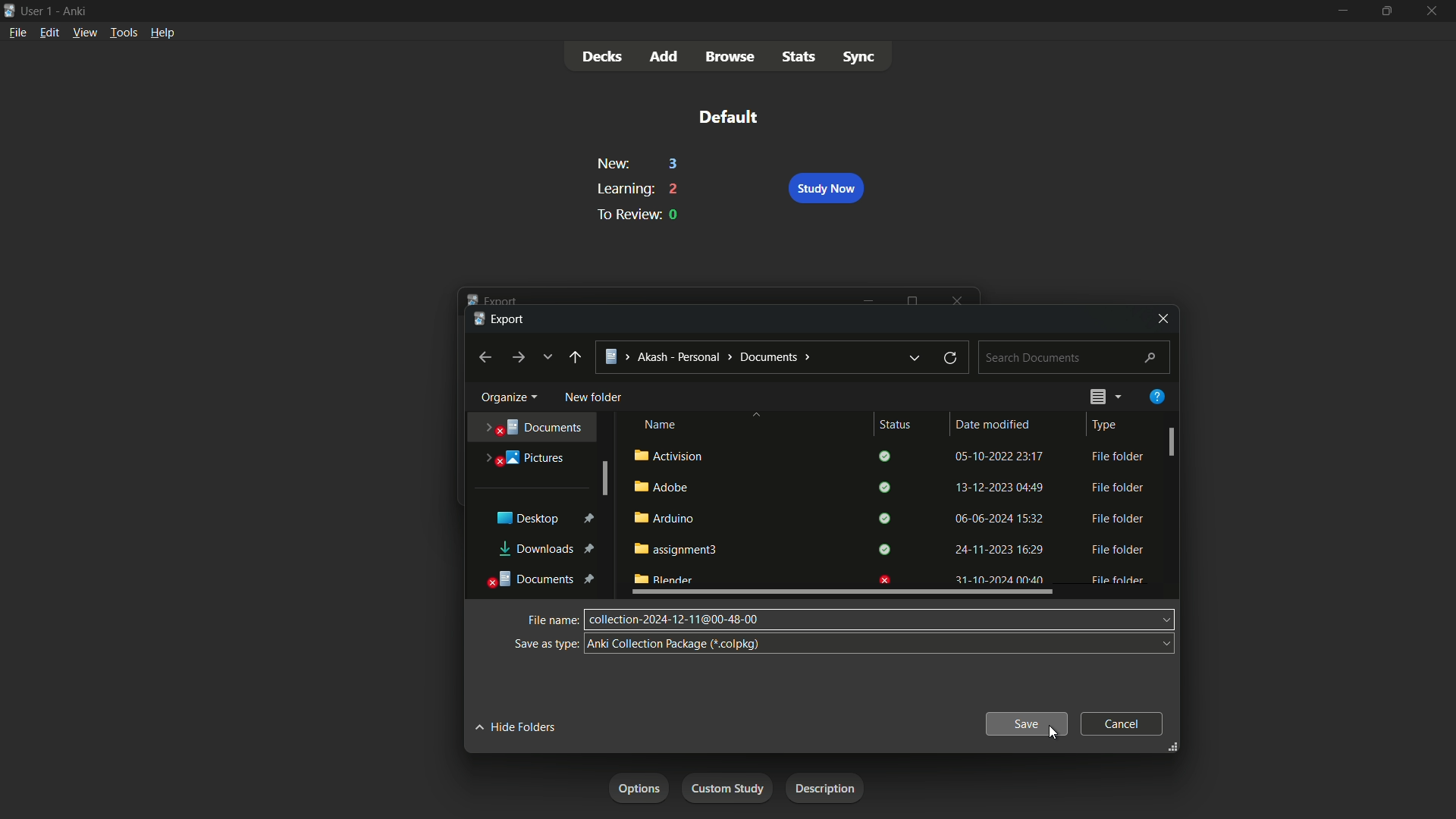 Image resolution: width=1456 pixels, height=819 pixels. What do you see at coordinates (1121, 724) in the screenshot?
I see `cancel` at bounding box center [1121, 724].